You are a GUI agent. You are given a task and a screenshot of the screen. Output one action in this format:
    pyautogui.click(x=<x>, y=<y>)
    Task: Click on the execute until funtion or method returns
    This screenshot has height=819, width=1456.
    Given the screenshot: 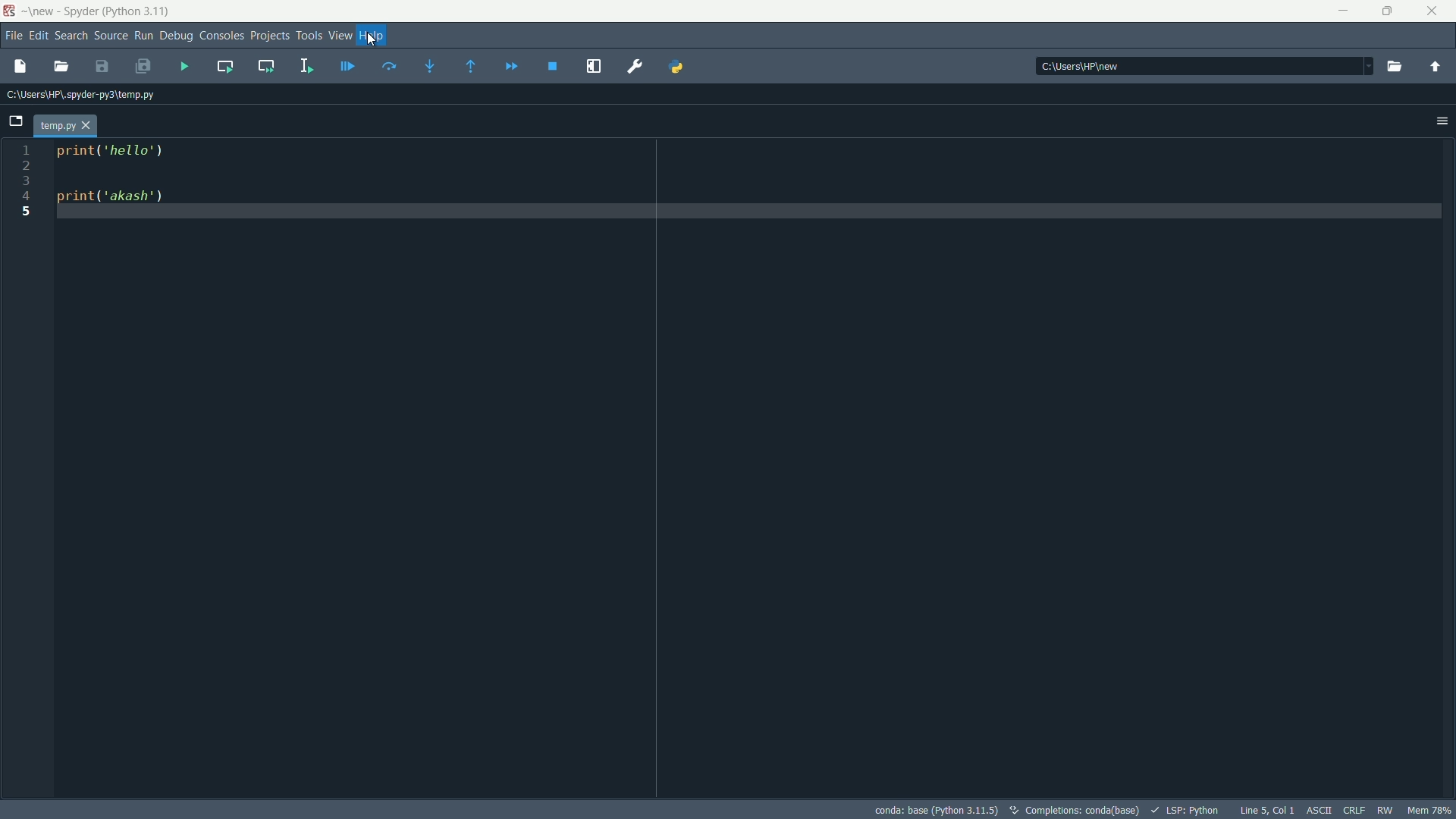 What is the action you would take?
    pyautogui.click(x=470, y=66)
    